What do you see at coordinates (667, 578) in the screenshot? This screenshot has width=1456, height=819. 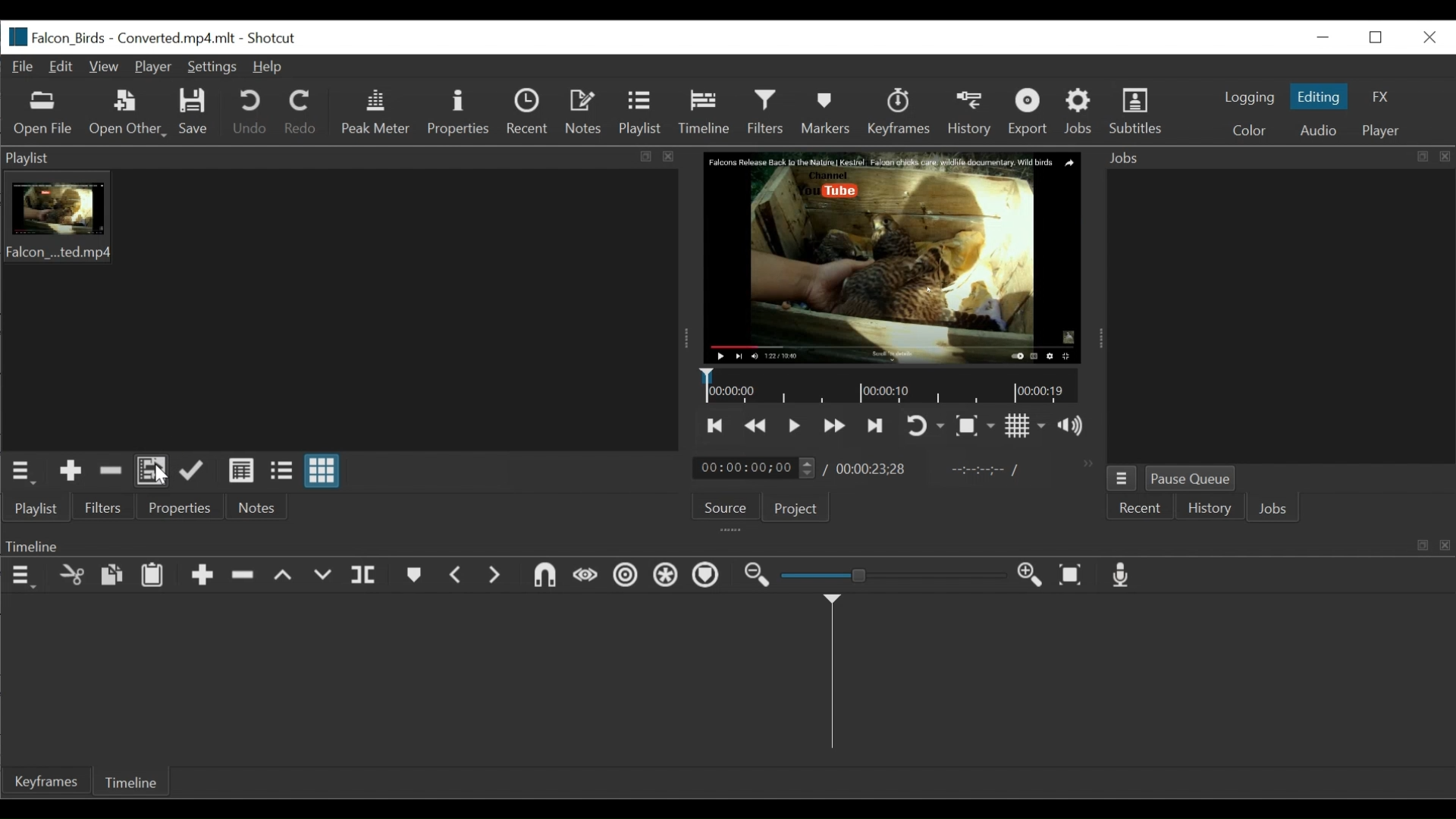 I see `Ripple all tracks` at bounding box center [667, 578].